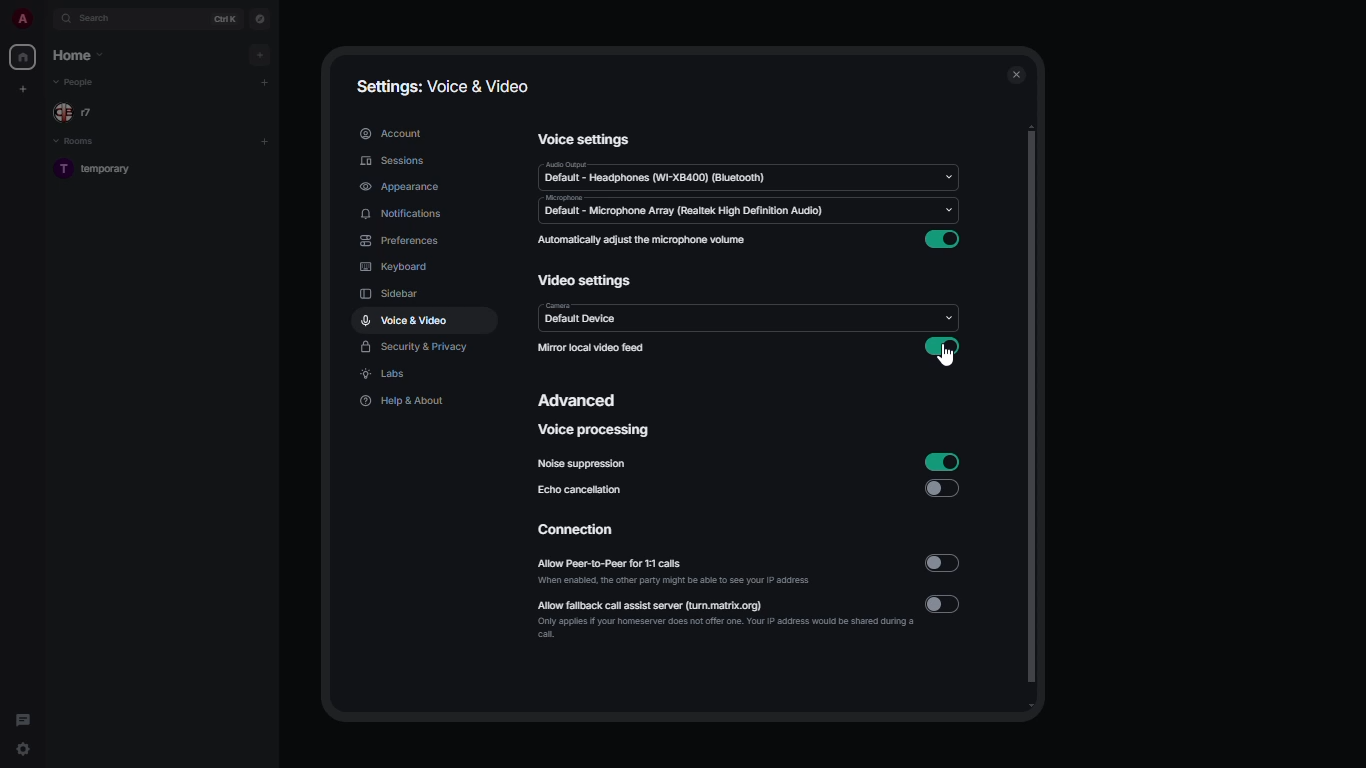  What do you see at coordinates (1017, 75) in the screenshot?
I see `close` at bounding box center [1017, 75].